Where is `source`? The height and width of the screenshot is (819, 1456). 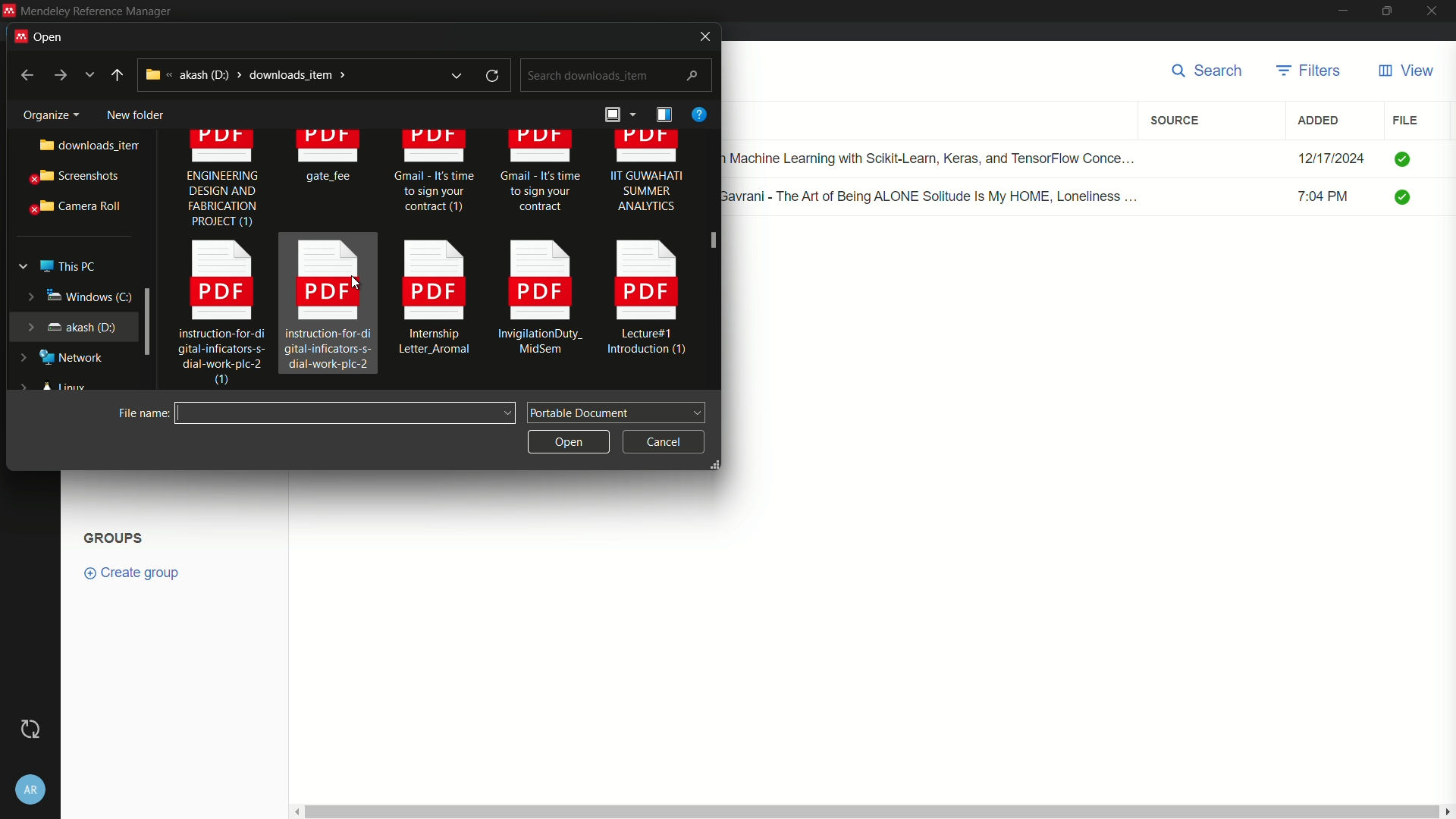
source is located at coordinates (1178, 121).